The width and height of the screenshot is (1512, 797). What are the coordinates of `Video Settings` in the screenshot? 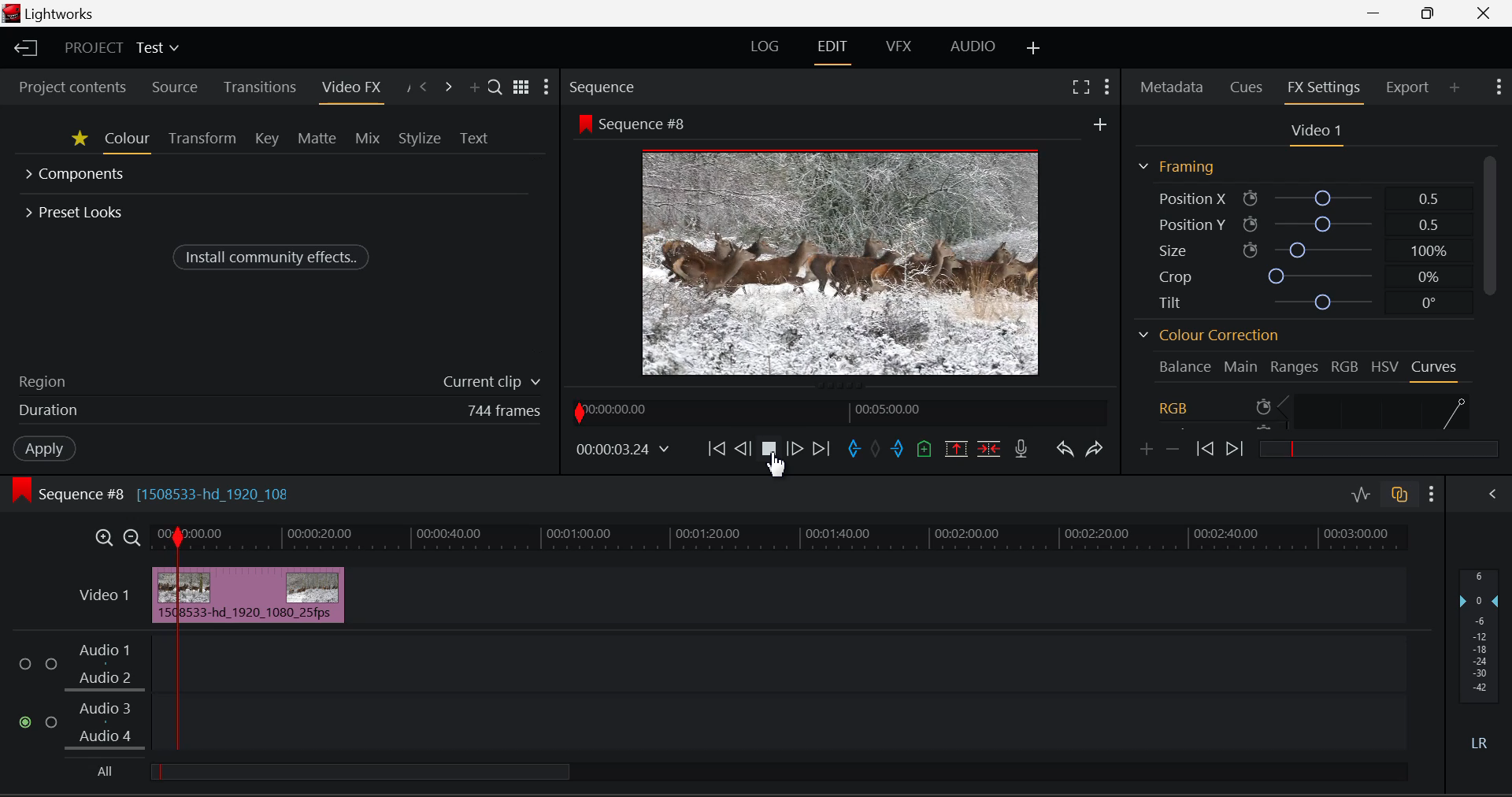 It's located at (1312, 132).